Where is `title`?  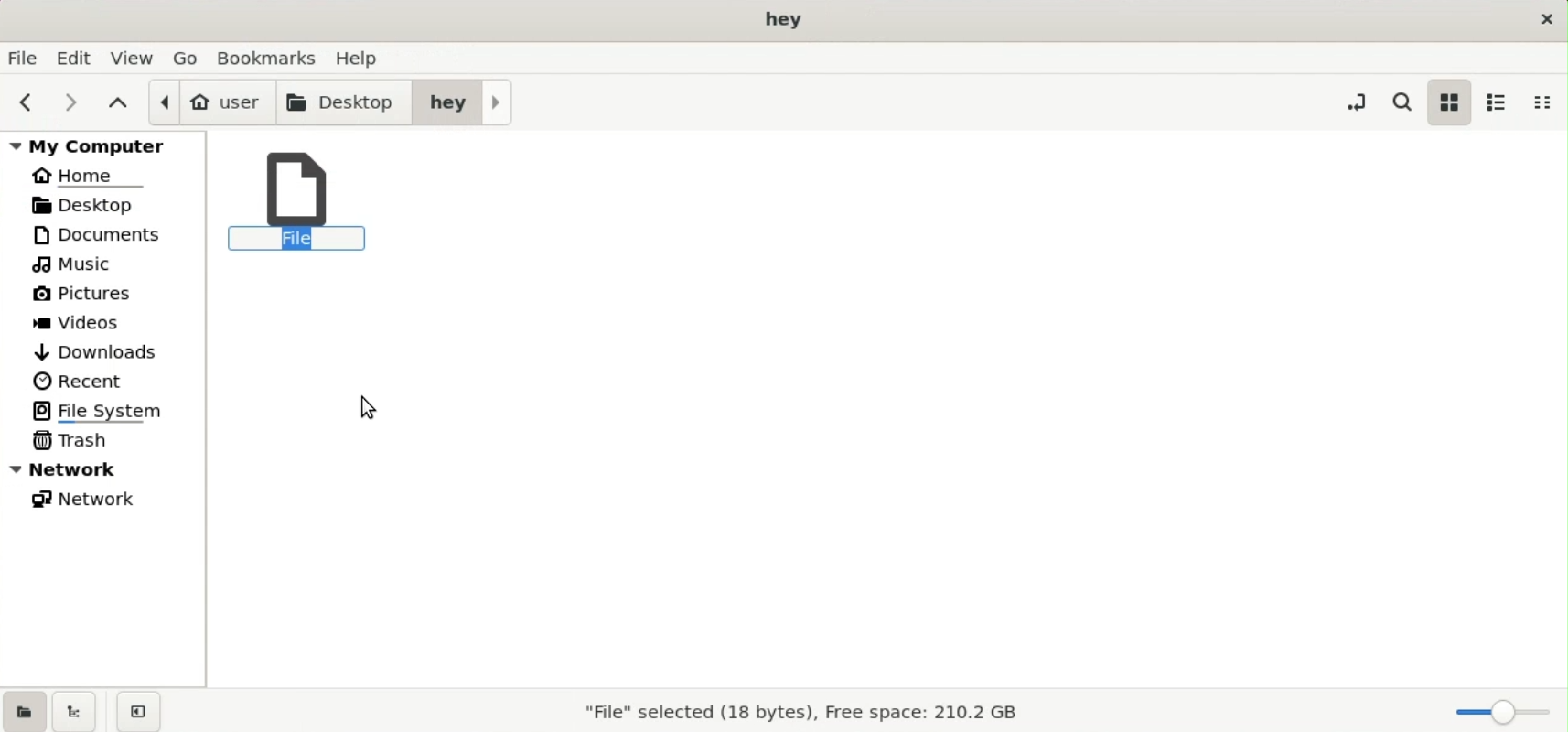 title is located at coordinates (786, 20).